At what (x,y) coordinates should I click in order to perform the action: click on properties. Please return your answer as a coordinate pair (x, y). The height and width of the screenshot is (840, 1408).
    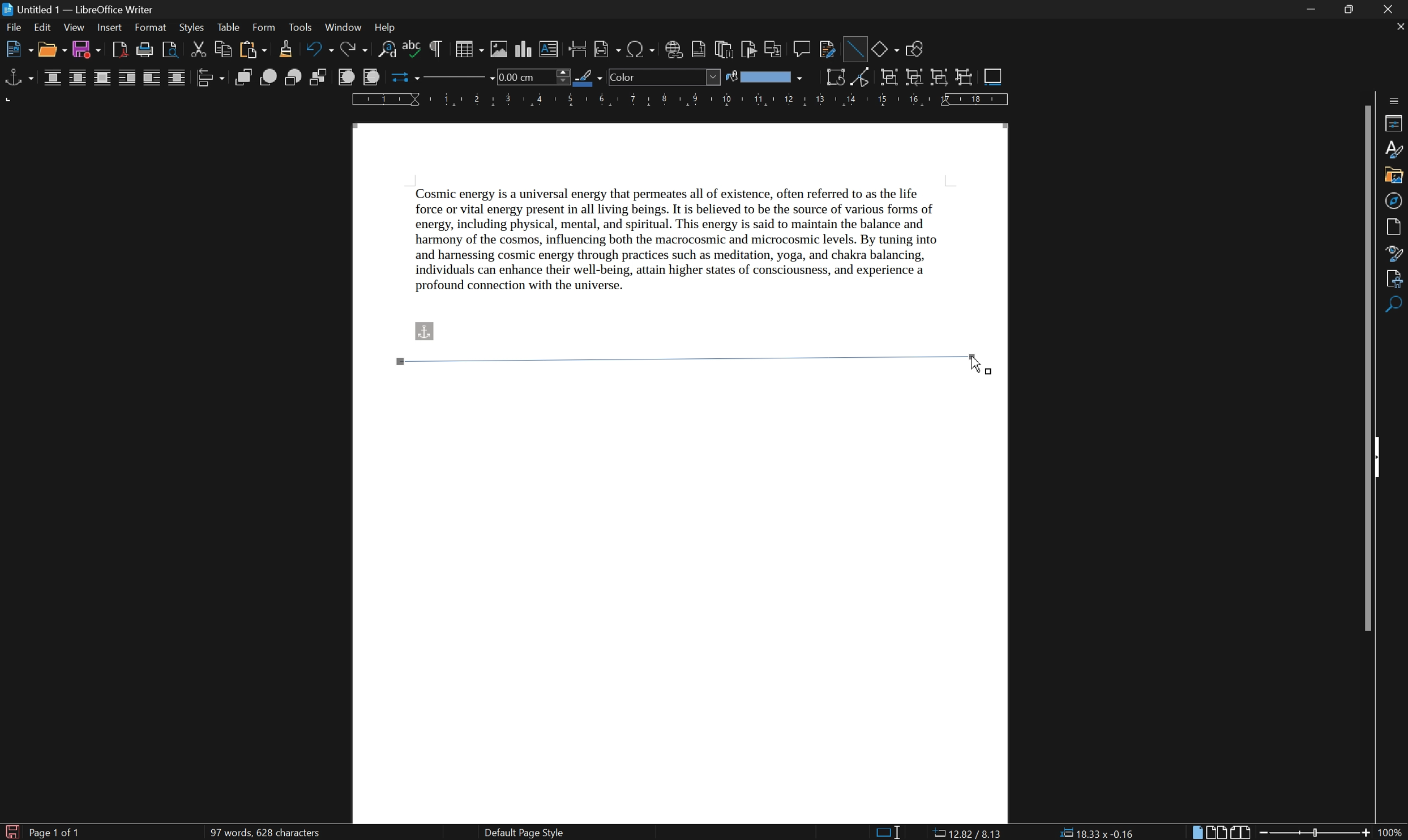
    Looking at the image, I should click on (1394, 123).